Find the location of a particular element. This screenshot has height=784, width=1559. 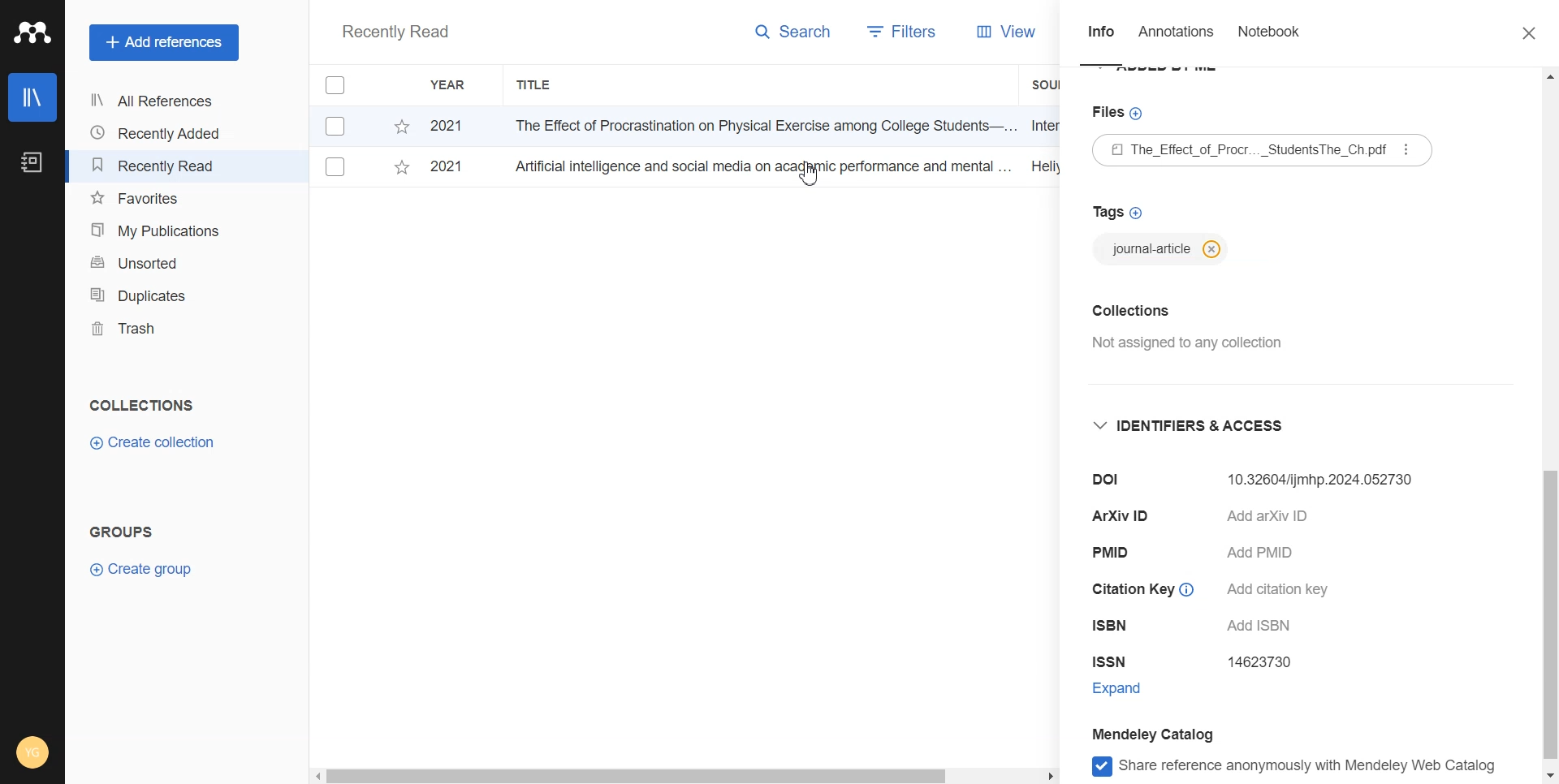

Unsorted is located at coordinates (160, 261).